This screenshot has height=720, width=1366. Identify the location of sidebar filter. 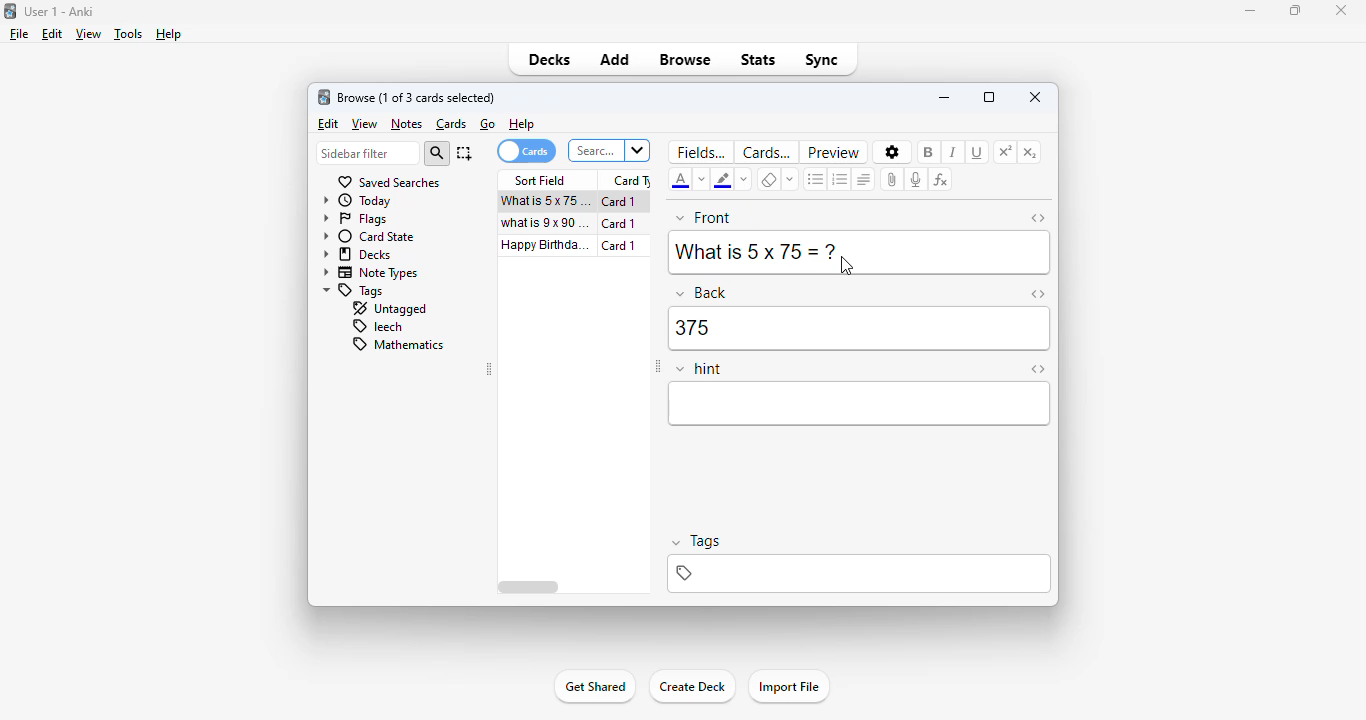
(366, 153).